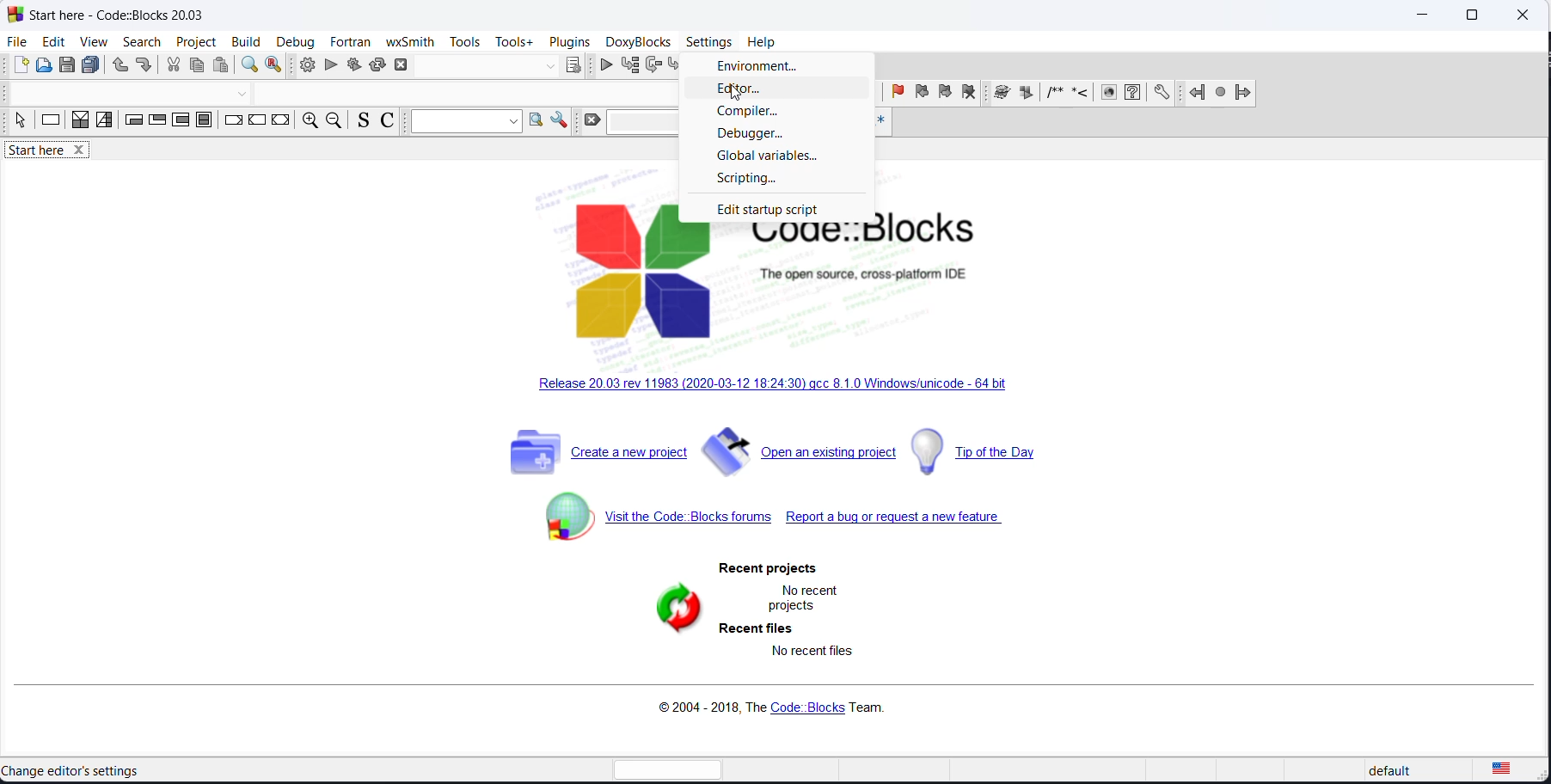  I want to click on zoom out, so click(332, 121).